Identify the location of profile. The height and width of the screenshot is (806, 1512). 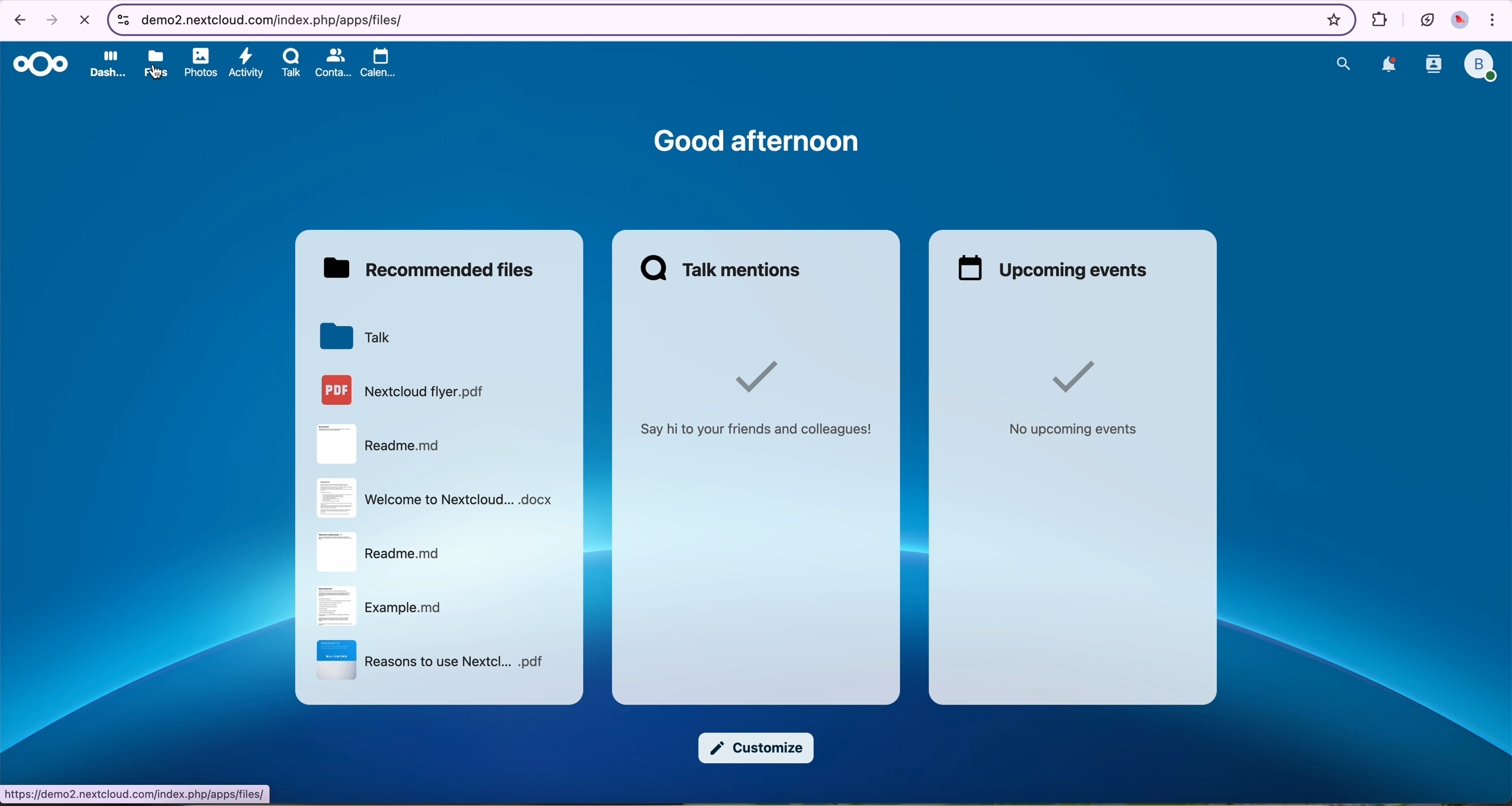
(1481, 66).